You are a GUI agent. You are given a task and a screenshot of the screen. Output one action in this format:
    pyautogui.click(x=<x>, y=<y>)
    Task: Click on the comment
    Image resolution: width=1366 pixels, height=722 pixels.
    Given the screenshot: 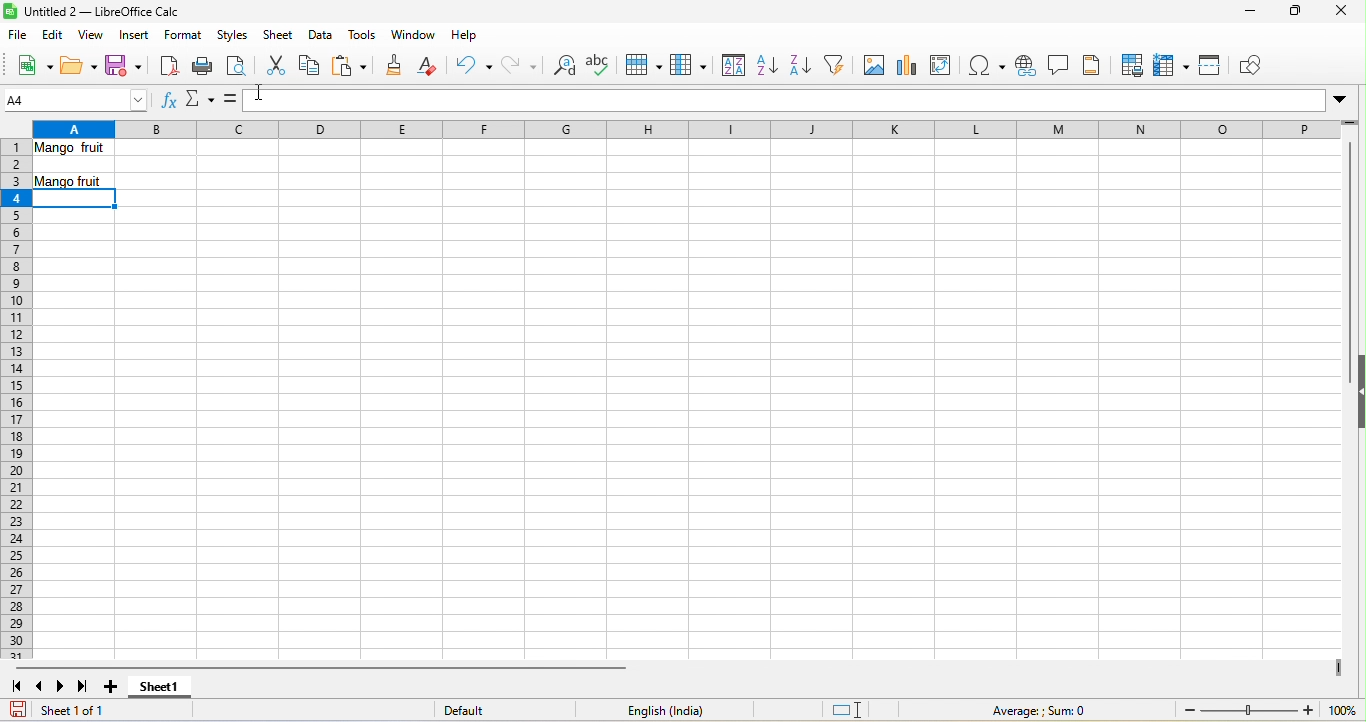 What is the action you would take?
    pyautogui.click(x=1061, y=67)
    